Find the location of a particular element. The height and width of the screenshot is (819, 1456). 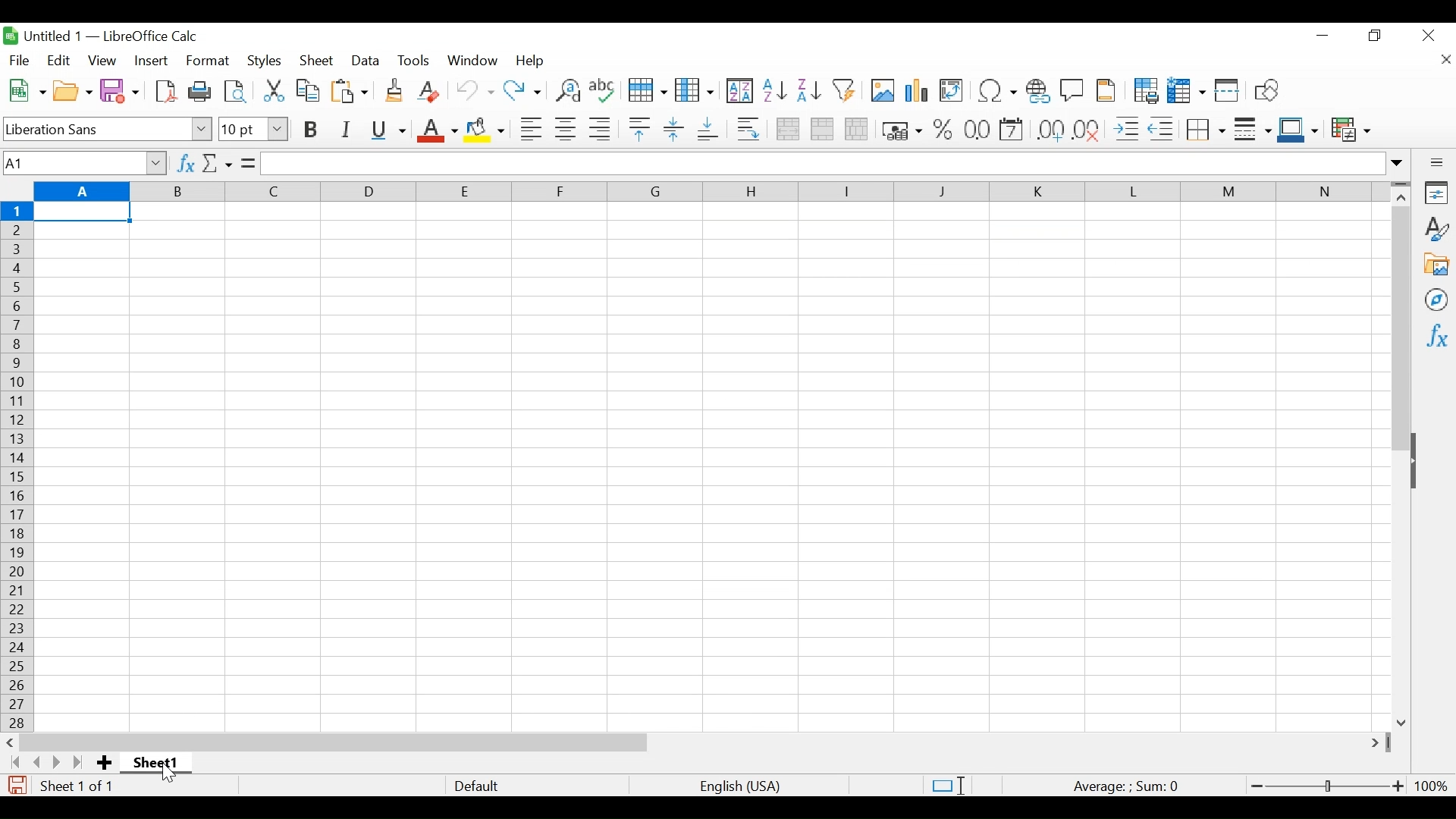

Delete Decimal is located at coordinates (1088, 130).